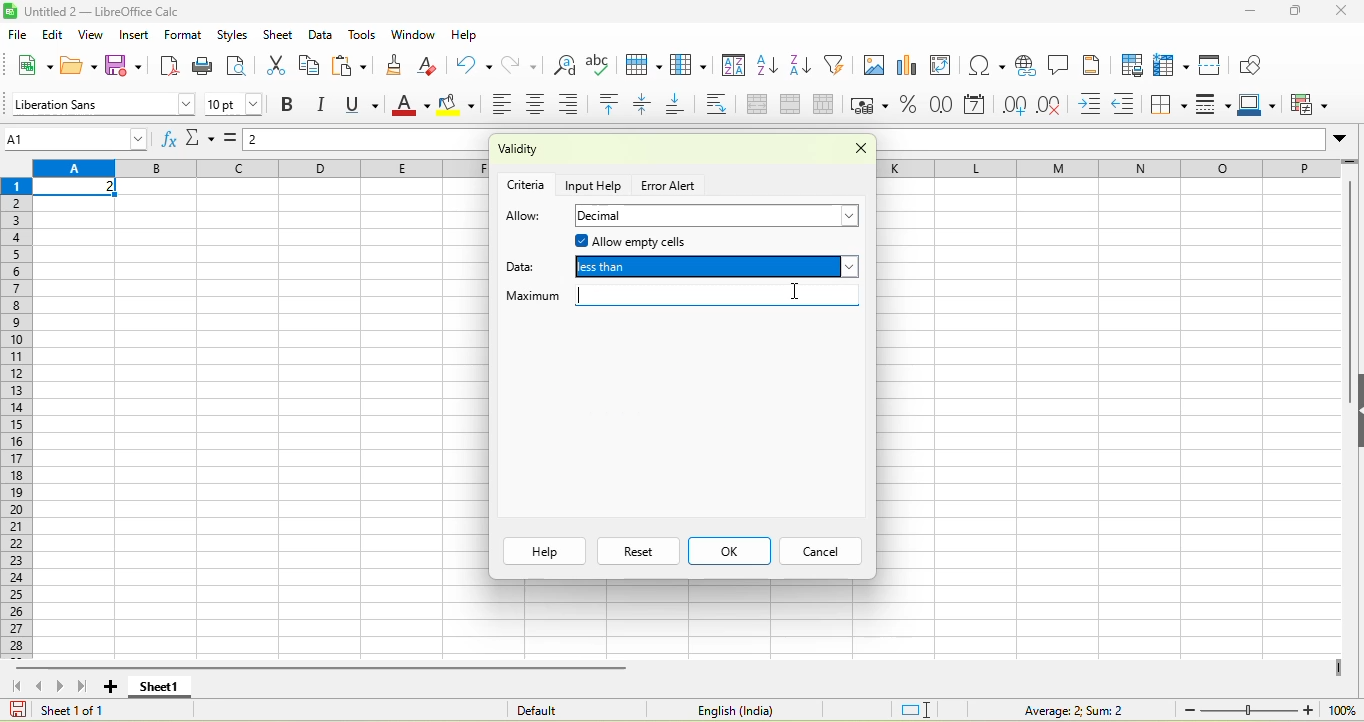 This screenshot has height=722, width=1364. What do you see at coordinates (909, 67) in the screenshot?
I see `chart` at bounding box center [909, 67].